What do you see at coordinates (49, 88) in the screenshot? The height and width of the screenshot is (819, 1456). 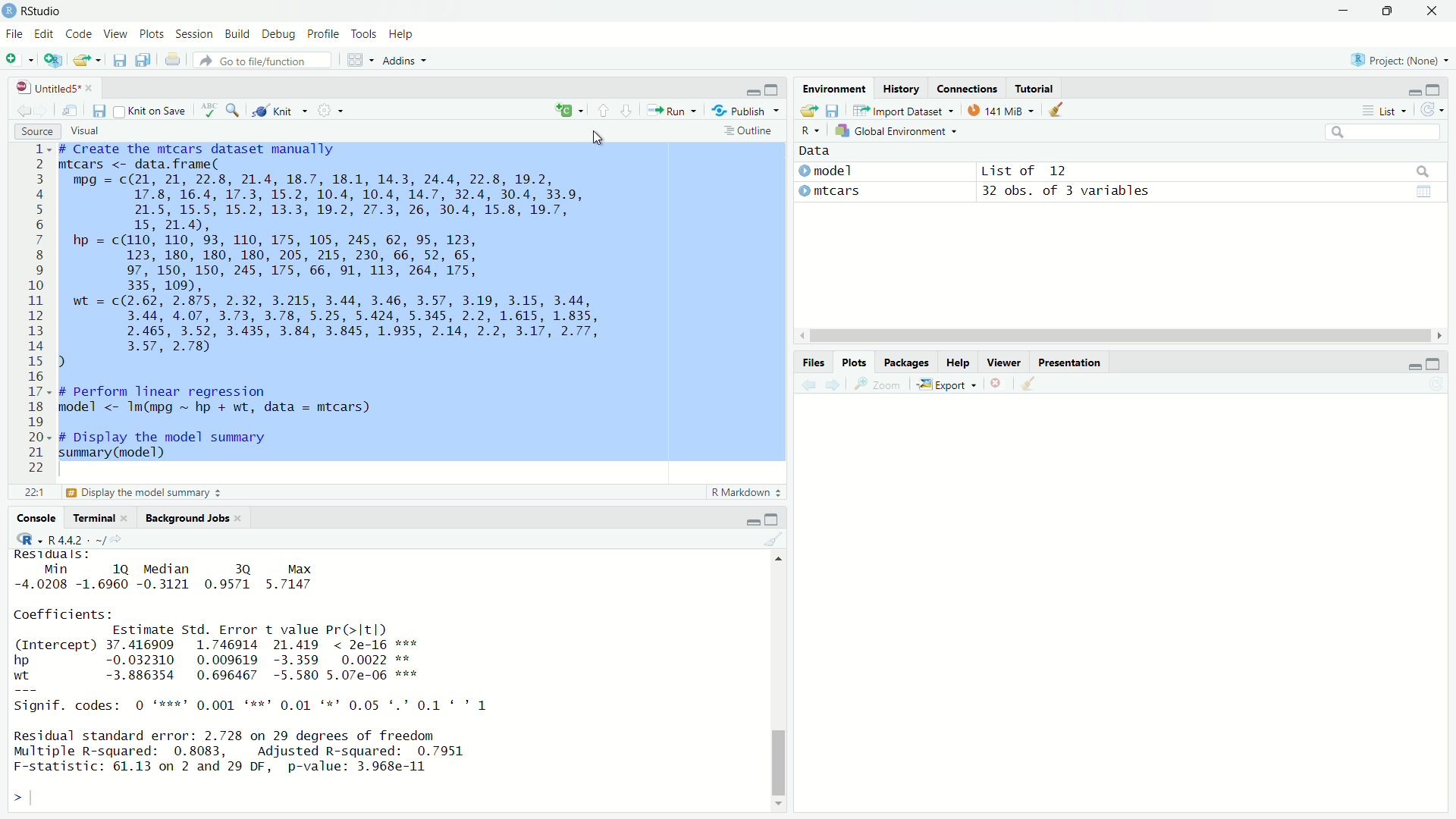 I see `Untitled5` at bounding box center [49, 88].